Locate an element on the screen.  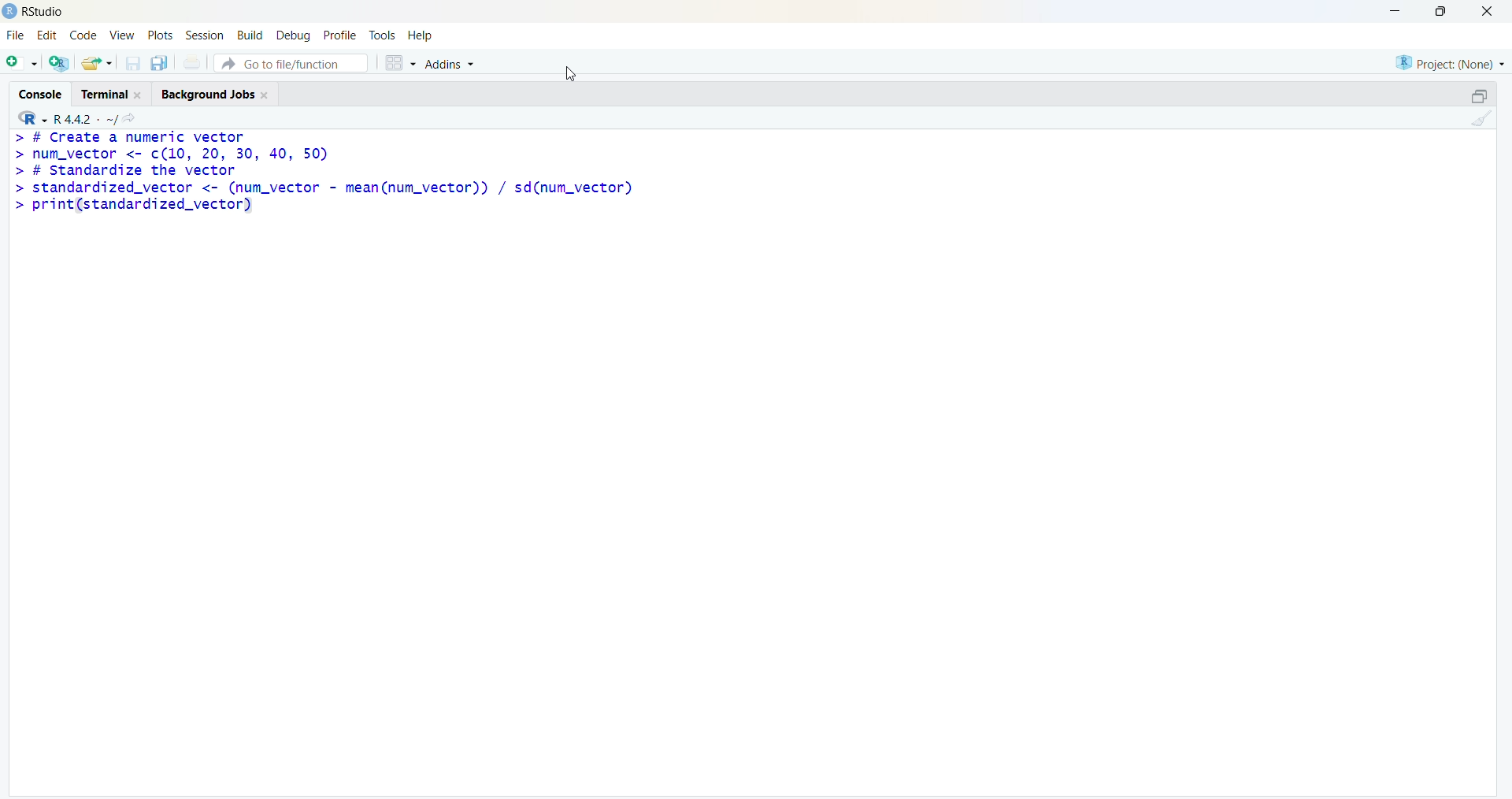
grid is located at coordinates (399, 63).